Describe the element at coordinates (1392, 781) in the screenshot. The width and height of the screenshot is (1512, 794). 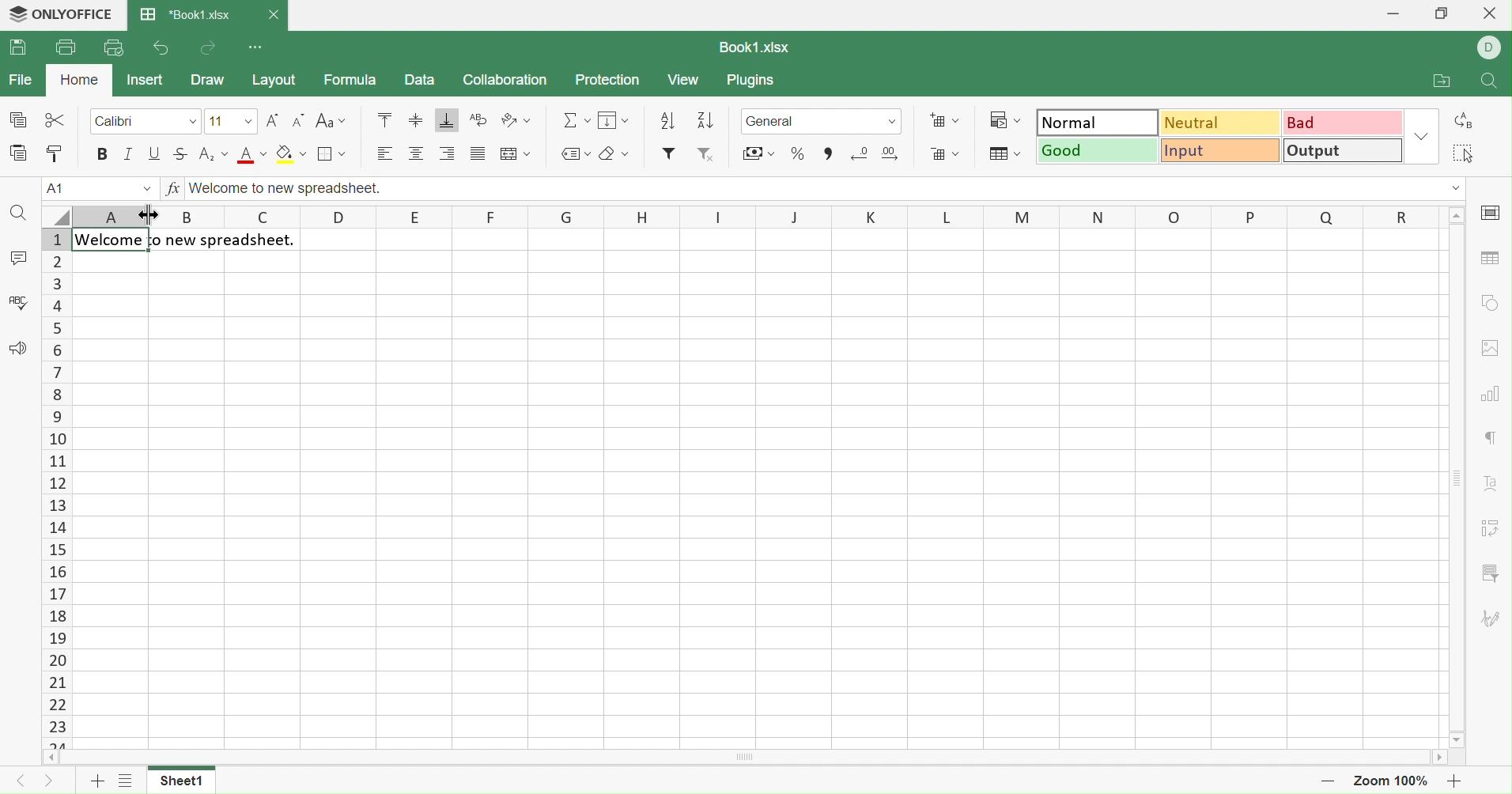
I see `Zoom 100%` at that location.